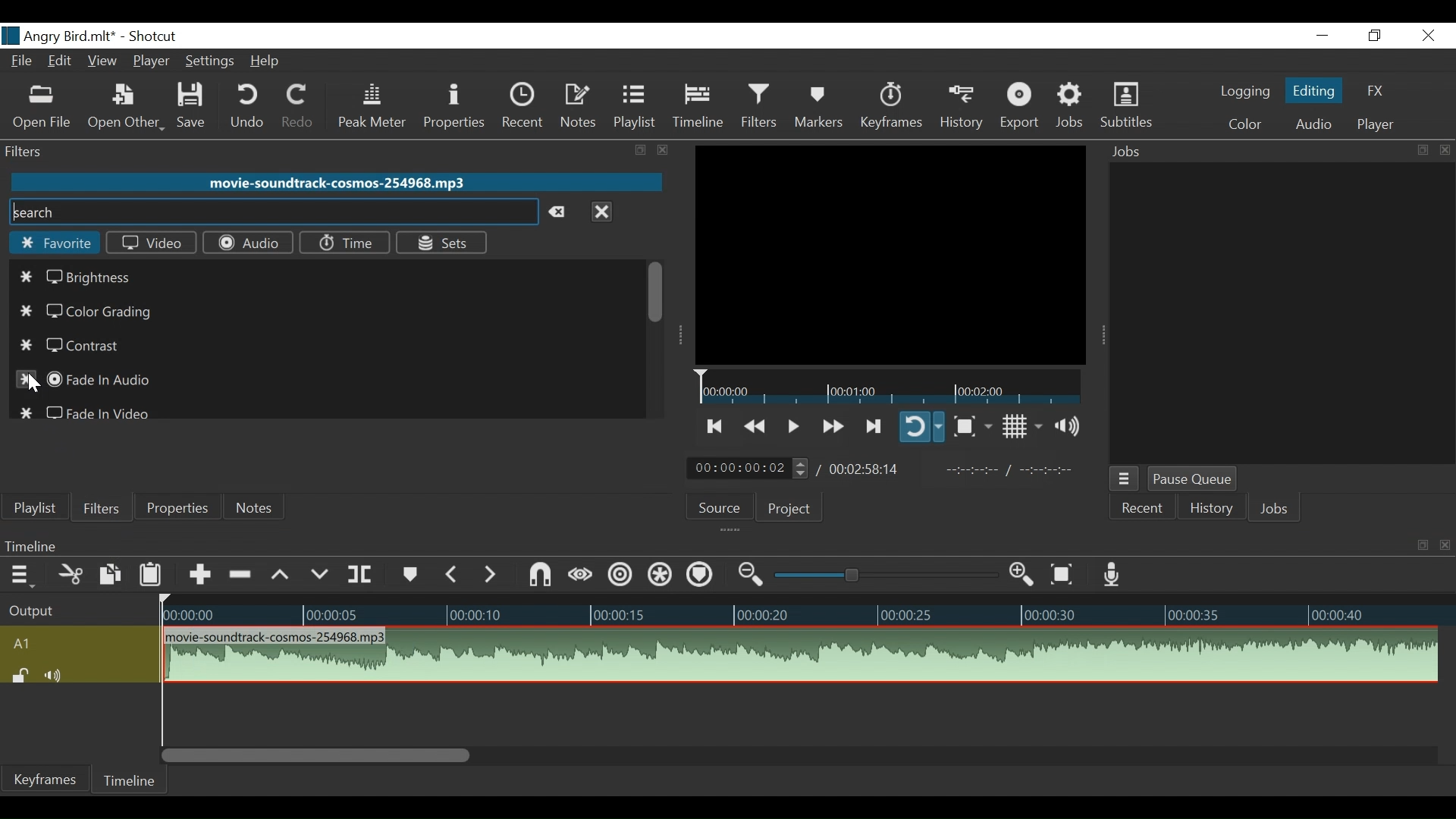 The height and width of the screenshot is (819, 1456). I want to click on Timeline menu, so click(704, 546).